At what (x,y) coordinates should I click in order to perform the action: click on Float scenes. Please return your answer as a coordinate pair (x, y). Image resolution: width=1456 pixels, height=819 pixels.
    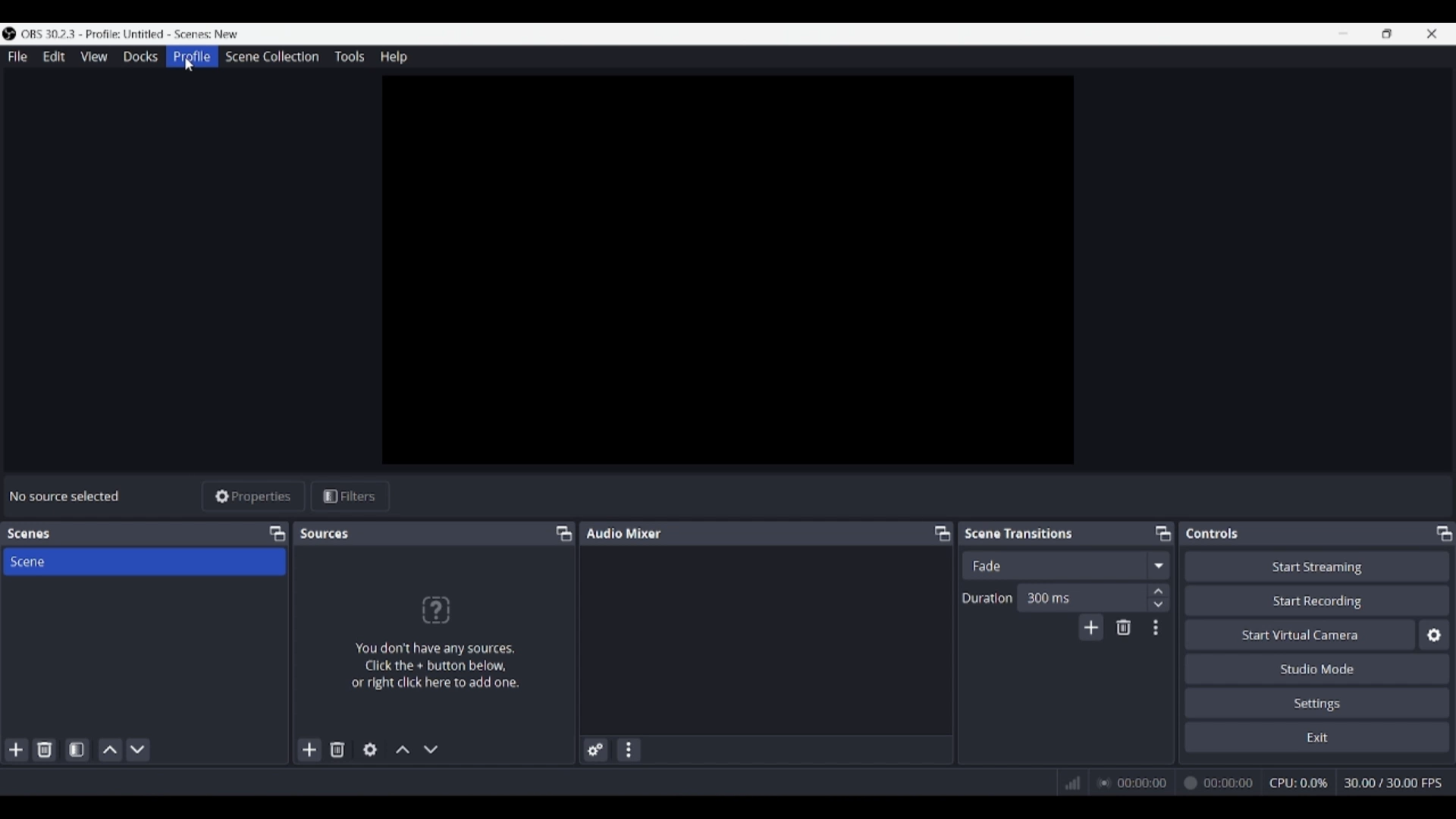
    Looking at the image, I should click on (277, 534).